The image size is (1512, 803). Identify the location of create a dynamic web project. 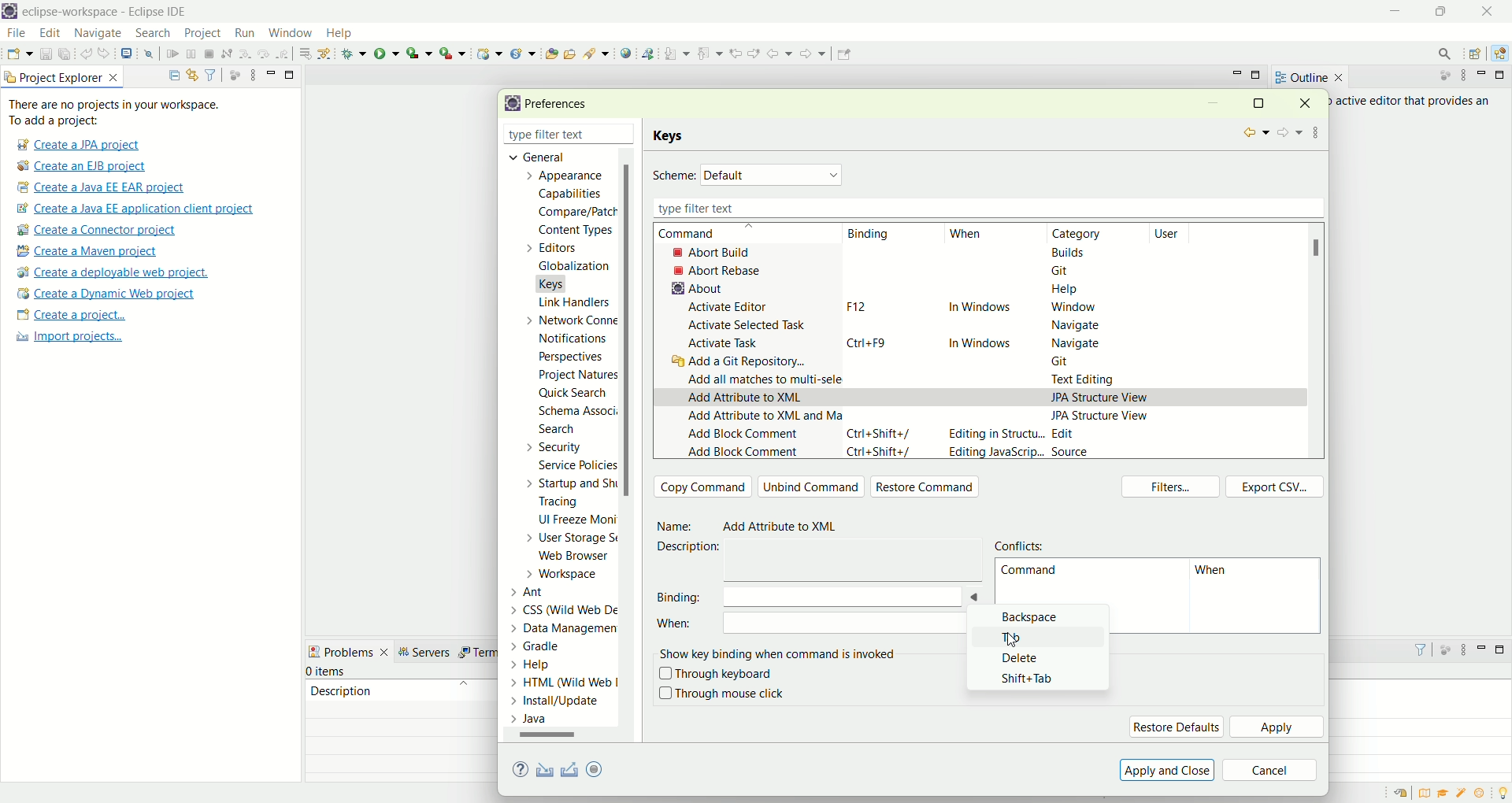
(105, 294).